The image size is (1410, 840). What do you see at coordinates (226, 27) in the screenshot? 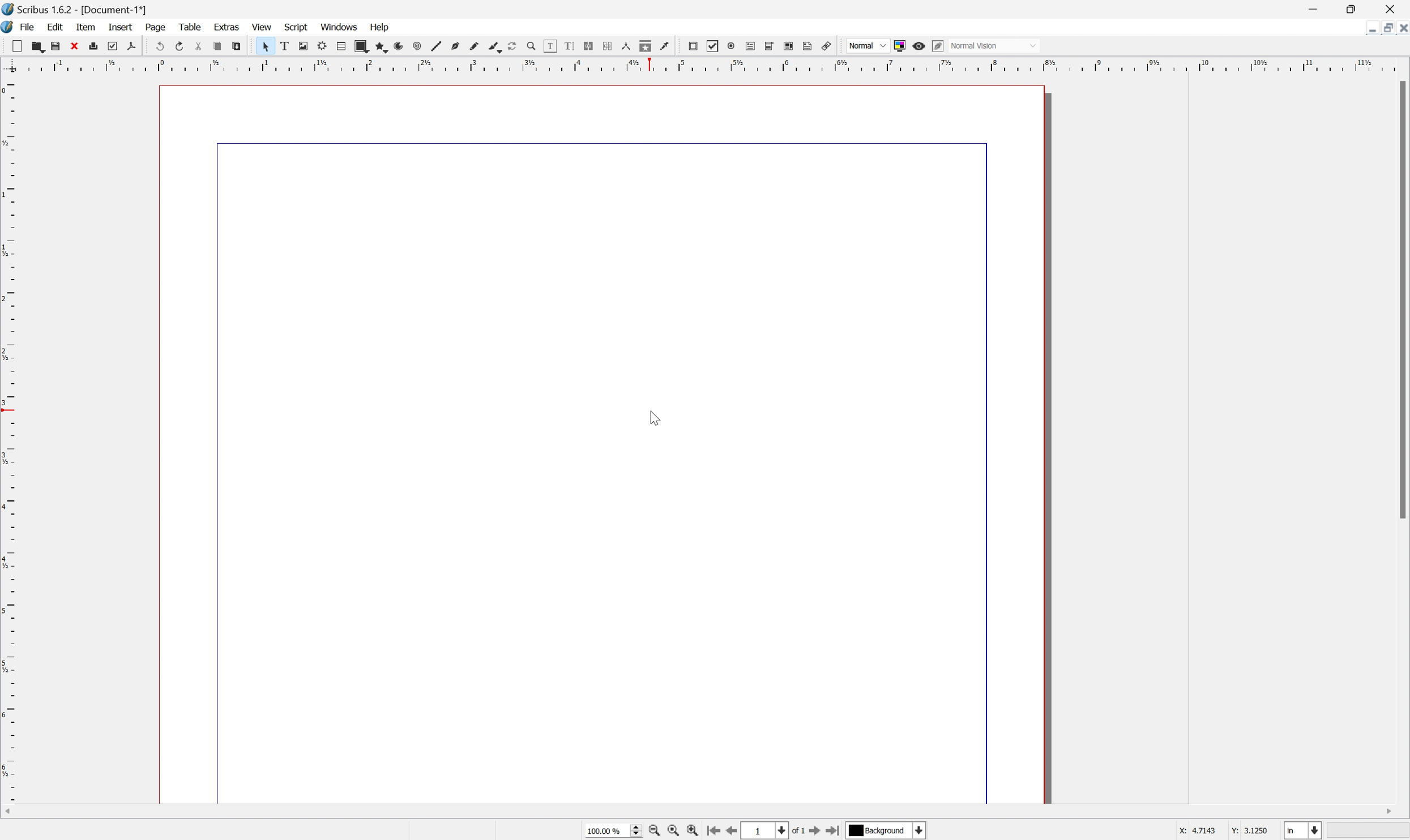
I see `extras` at bounding box center [226, 27].